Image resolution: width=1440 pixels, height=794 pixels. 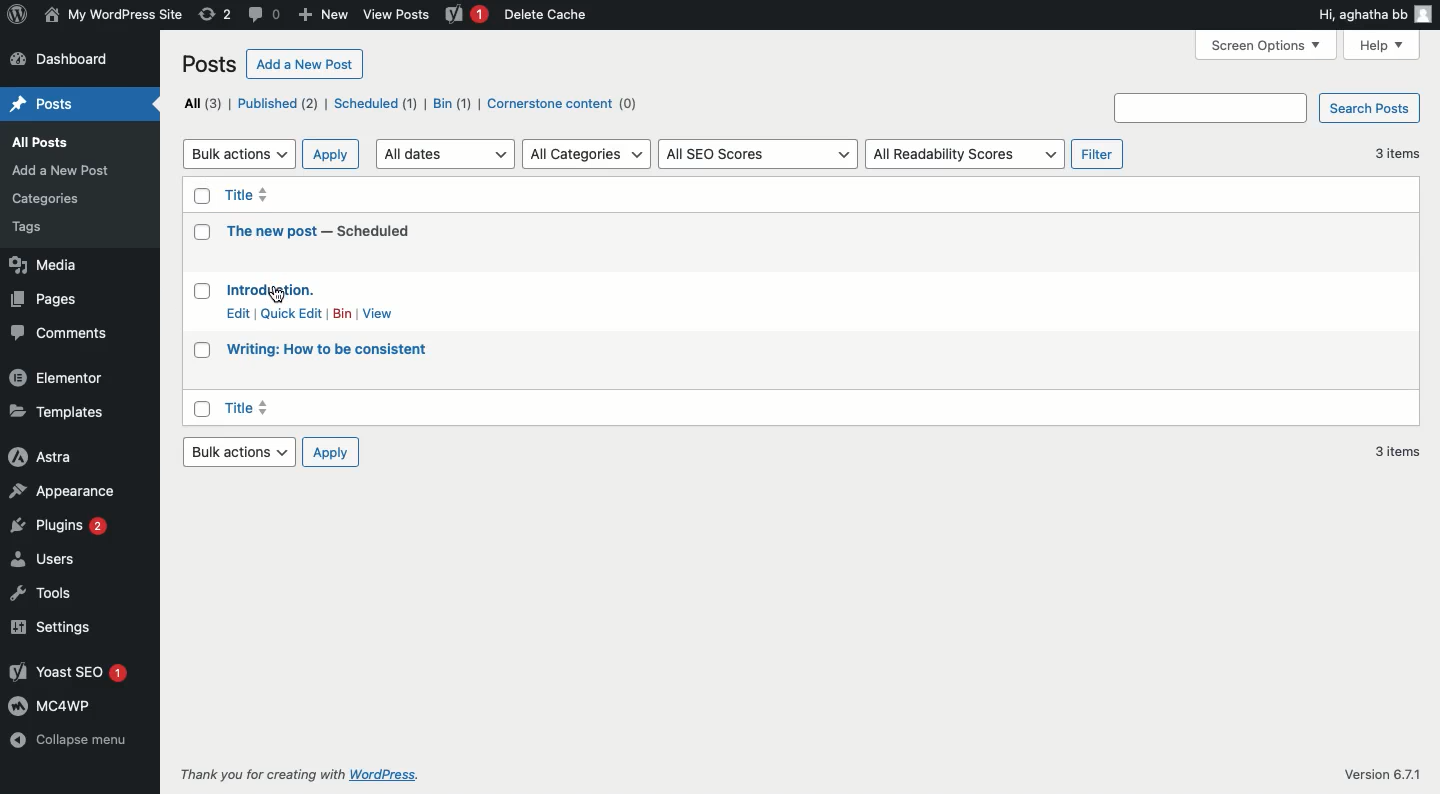 What do you see at coordinates (62, 334) in the screenshot?
I see `Comments` at bounding box center [62, 334].